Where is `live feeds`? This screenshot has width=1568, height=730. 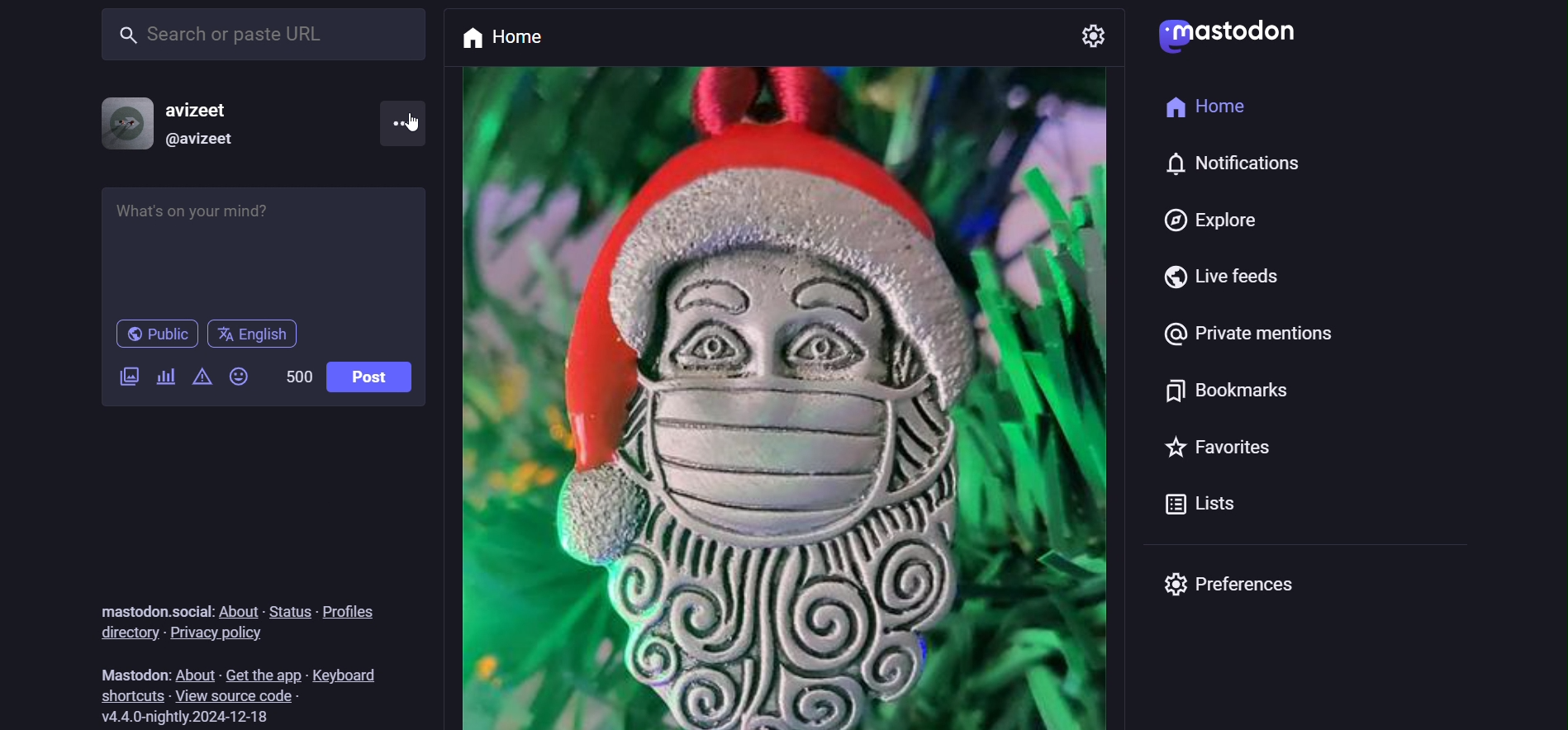
live feeds is located at coordinates (1225, 278).